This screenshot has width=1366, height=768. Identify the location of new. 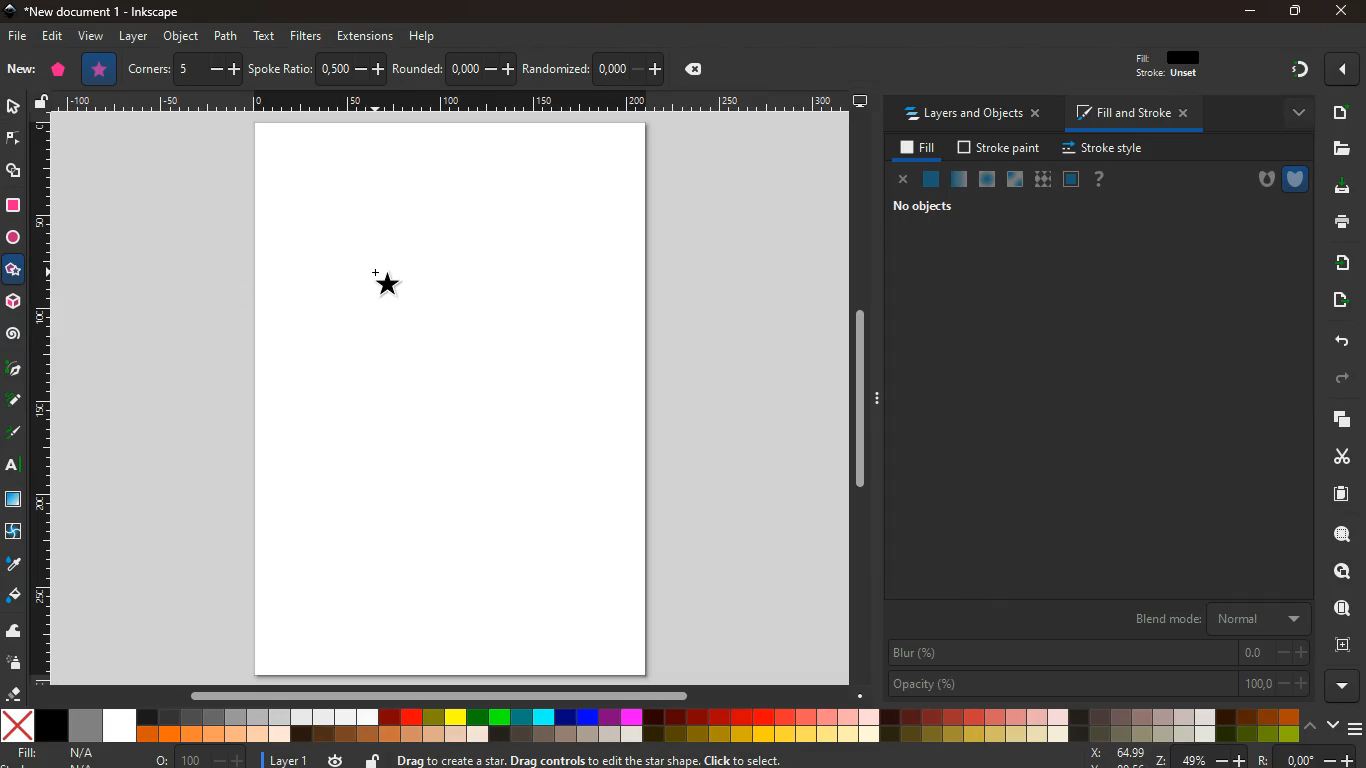
(20, 69).